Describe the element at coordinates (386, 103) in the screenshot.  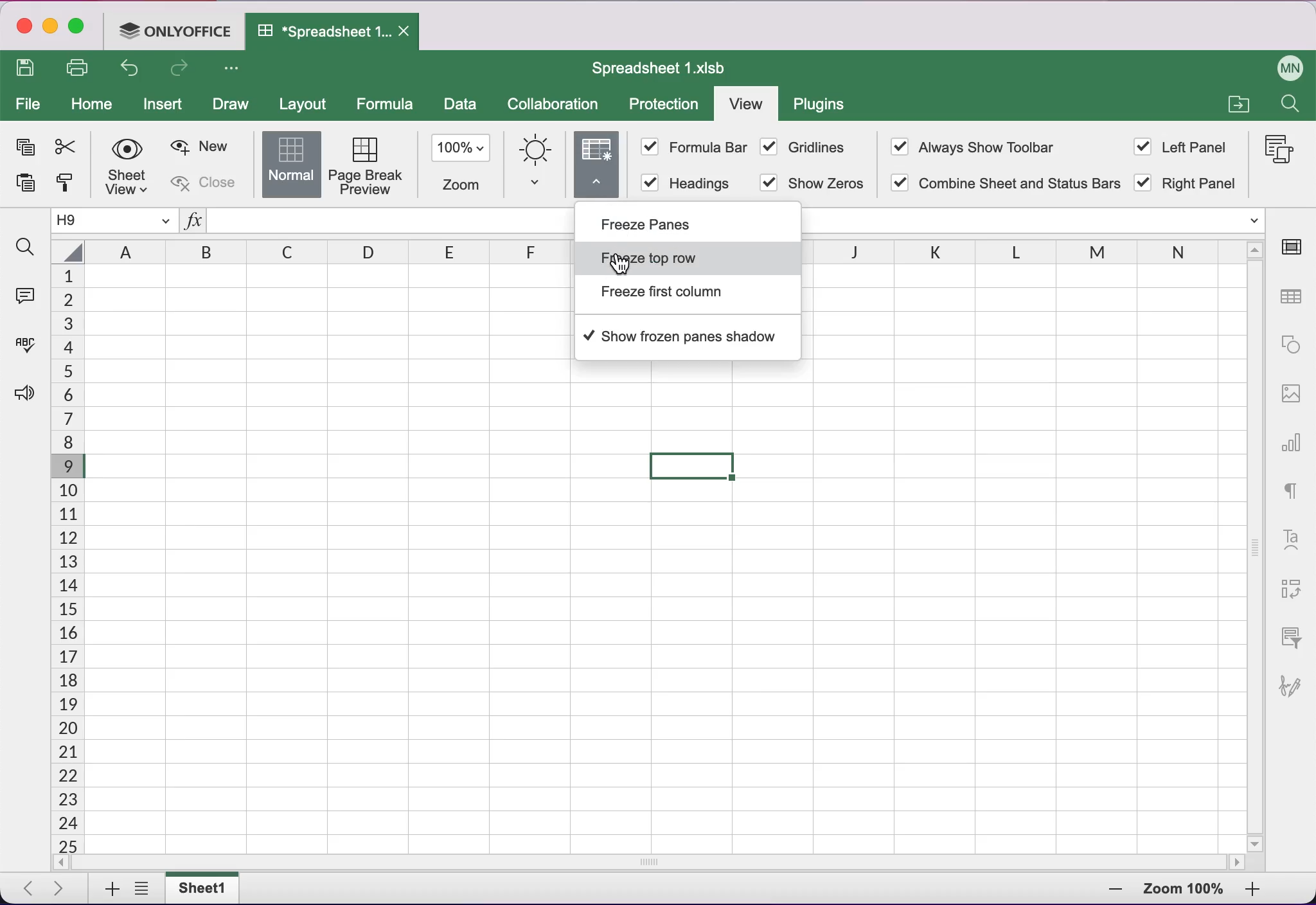
I see `formula` at that location.